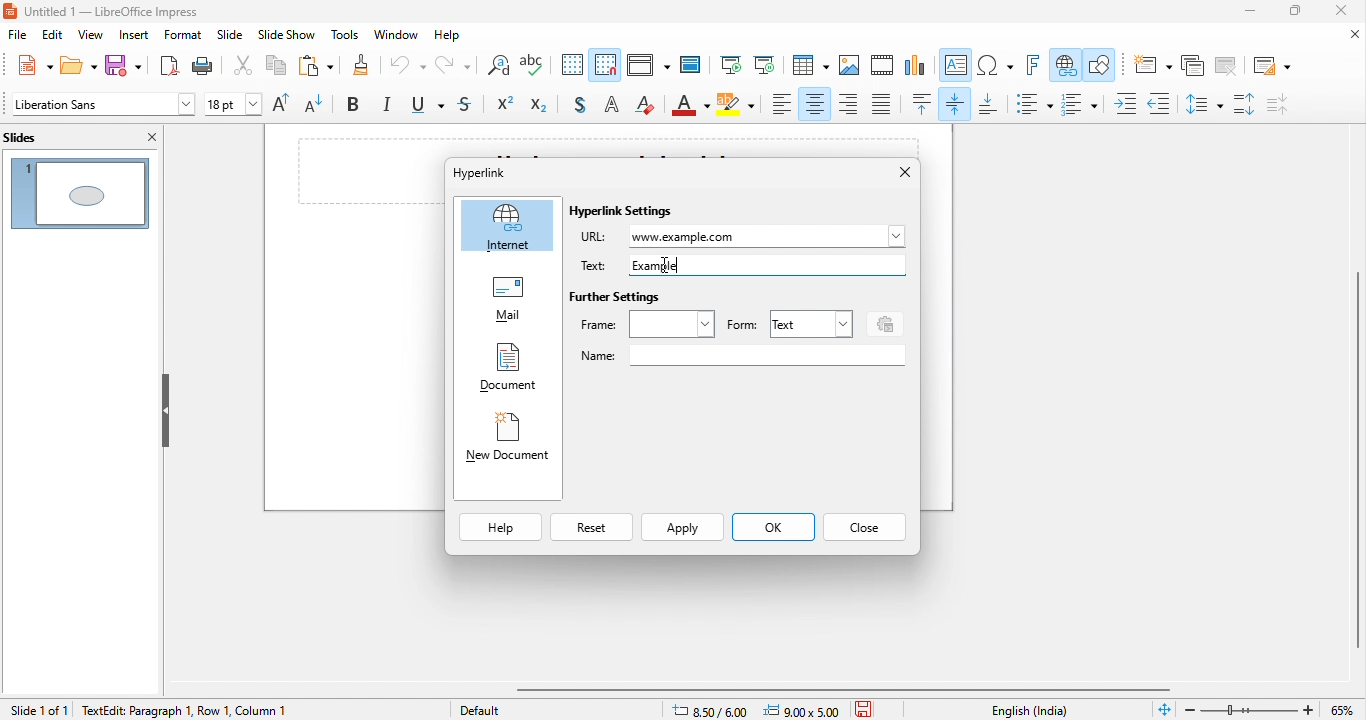  I want to click on find and replace, so click(496, 68).